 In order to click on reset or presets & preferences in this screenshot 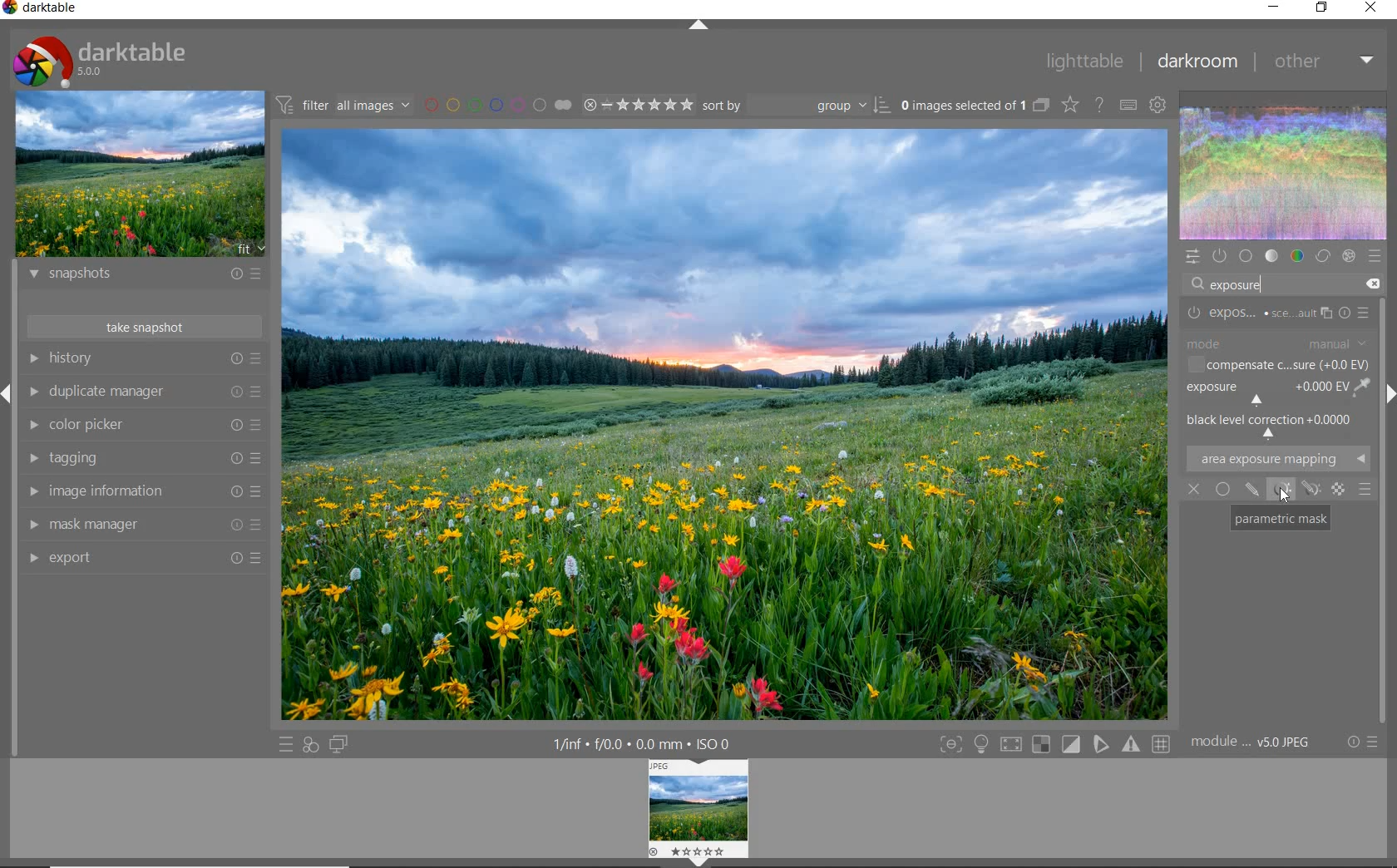, I will do `click(1360, 745)`.